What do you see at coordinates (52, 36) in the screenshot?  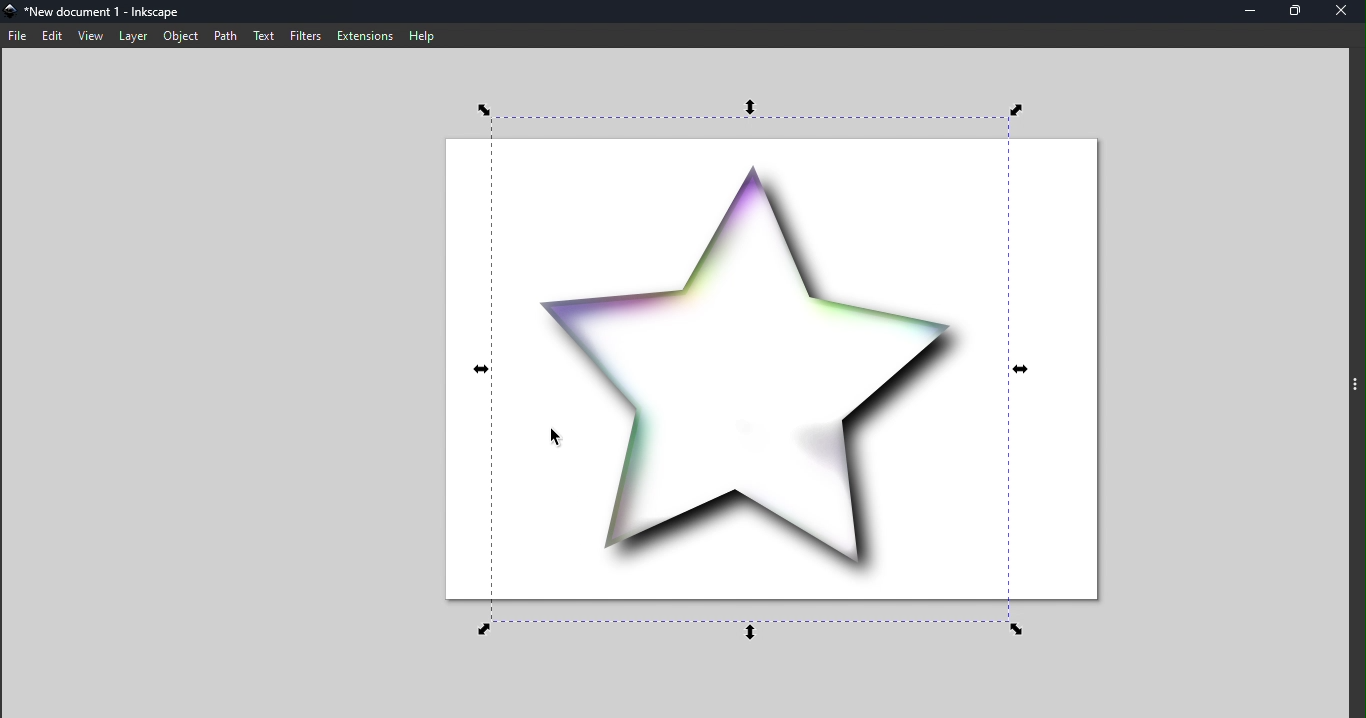 I see `edit` at bounding box center [52, 36].